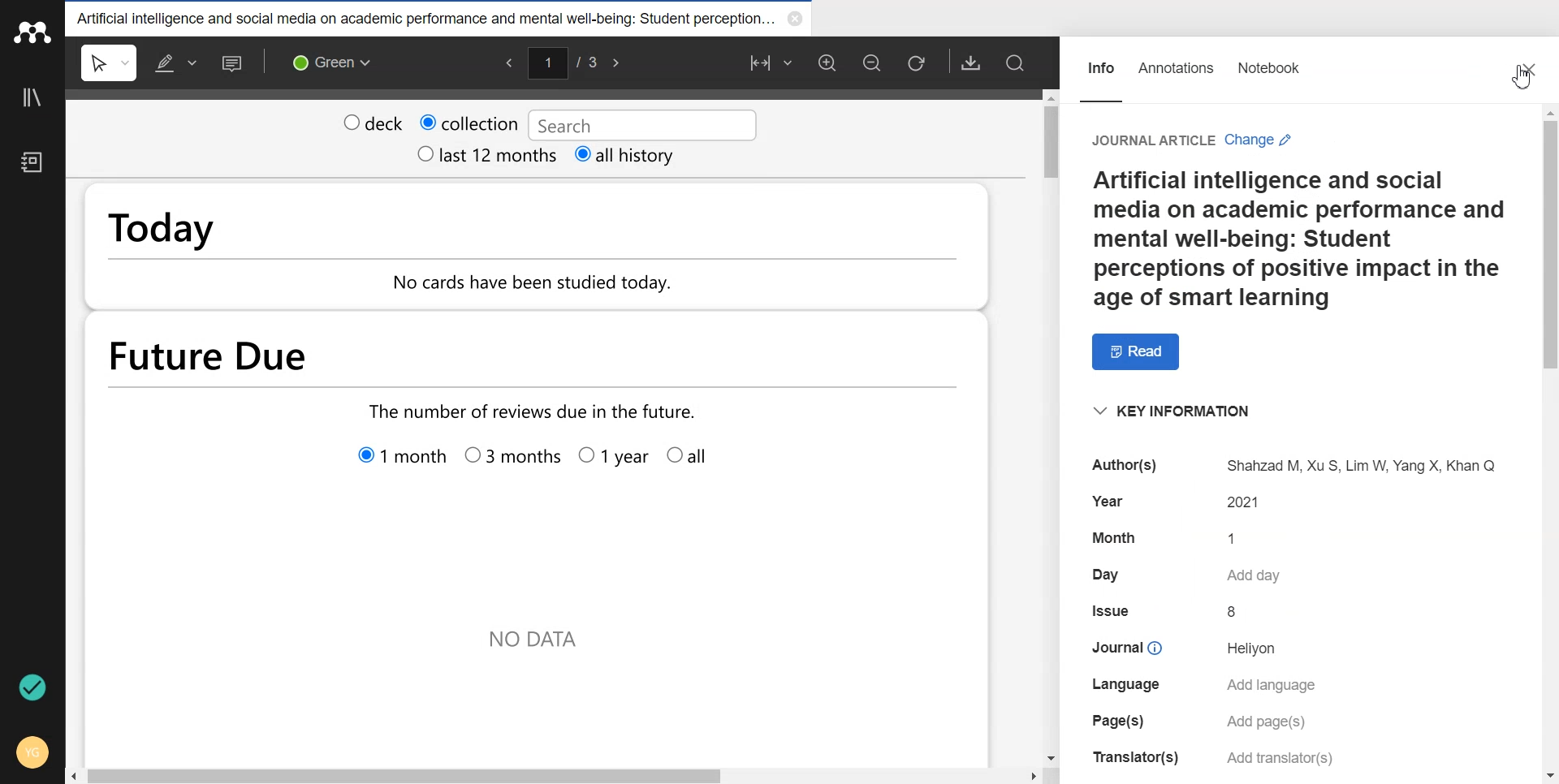 This screenshot has width=1559, height=784. What do you see at coordinates (110, 62) in the screenshot?
I see `Select text` at bounding box center [110, 62].